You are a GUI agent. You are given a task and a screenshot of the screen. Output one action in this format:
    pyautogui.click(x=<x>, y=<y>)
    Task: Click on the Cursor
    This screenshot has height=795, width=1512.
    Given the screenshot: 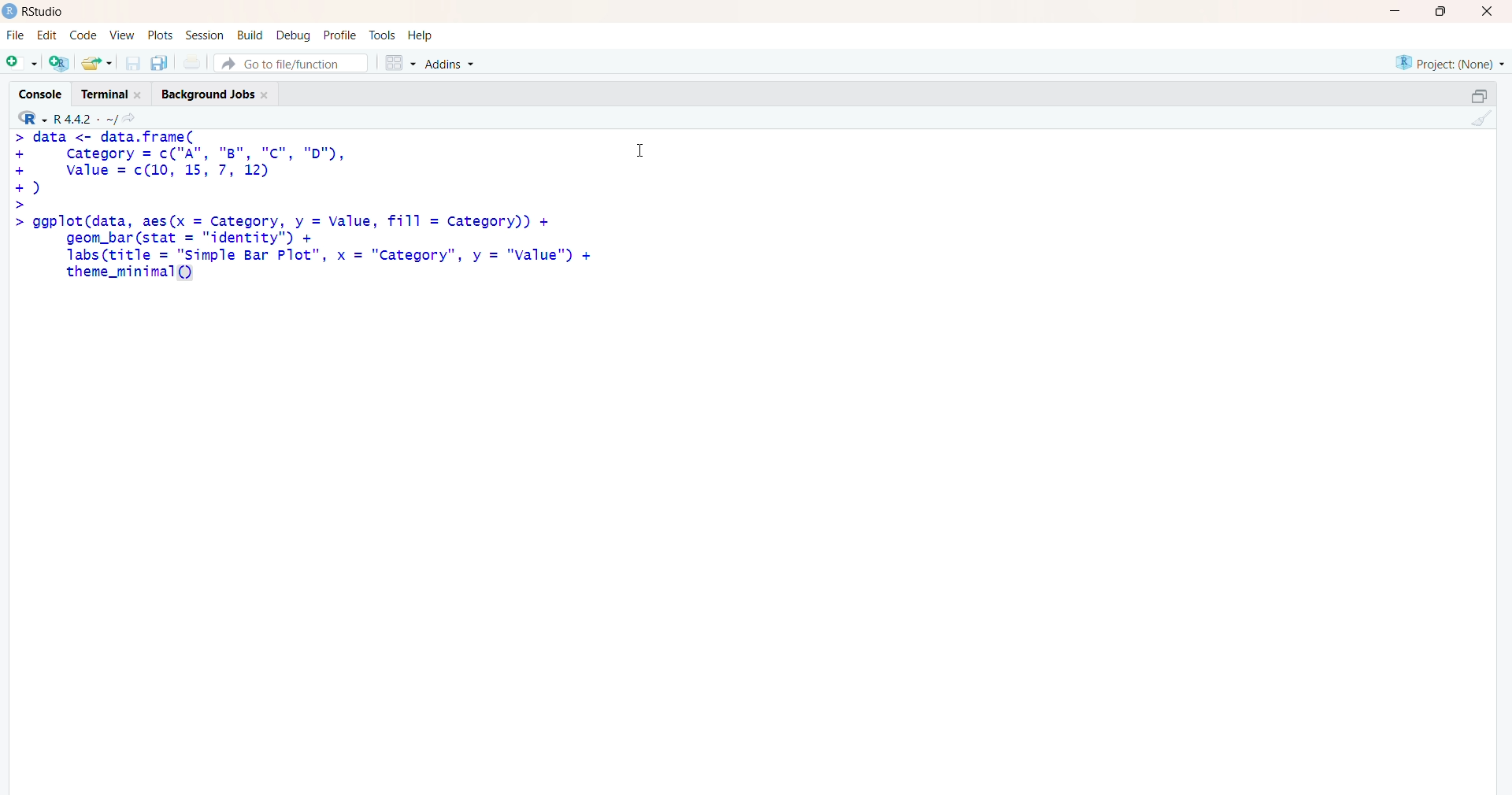 What is the action you would take?
    pyautogui.click(x=641, y=148)
    